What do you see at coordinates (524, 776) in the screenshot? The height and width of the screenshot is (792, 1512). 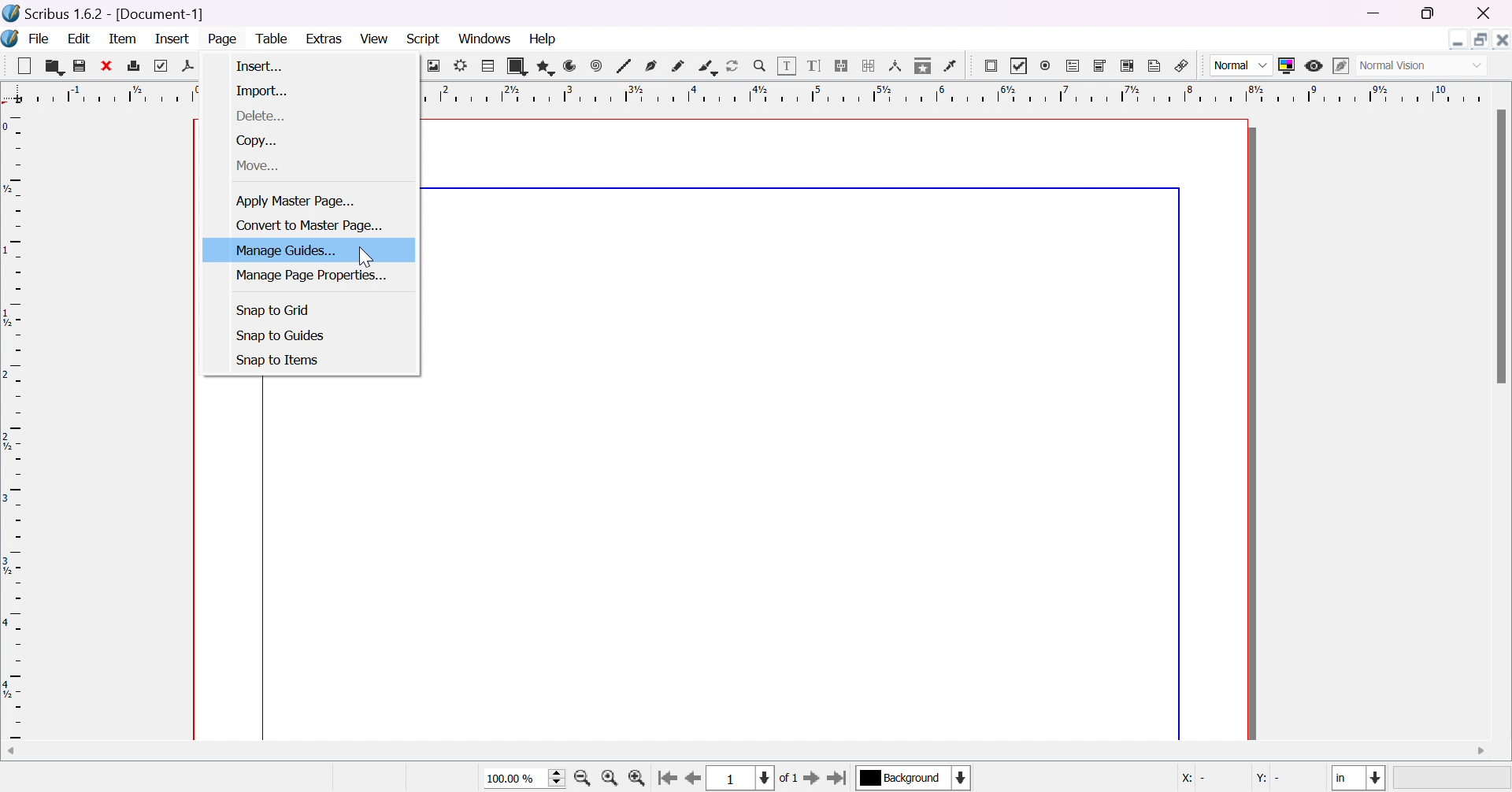 I see `select current size` at bounding box center [524, 776].